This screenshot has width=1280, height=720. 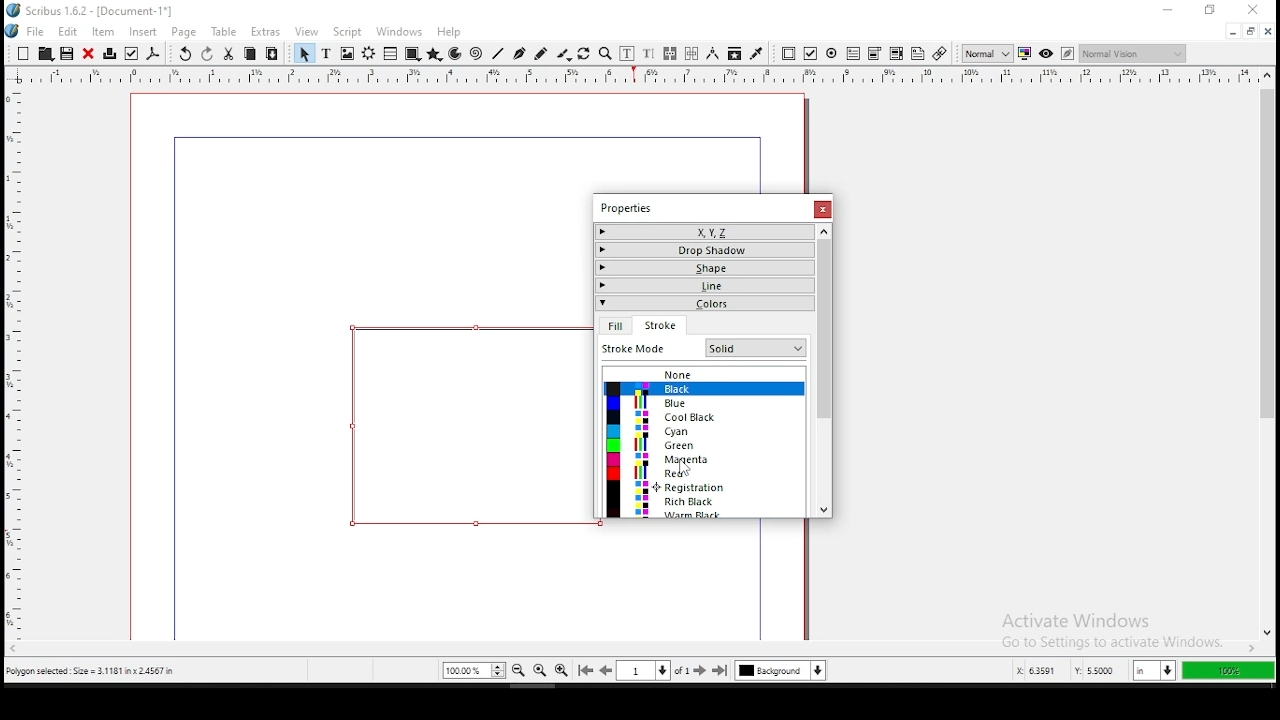 I want to click on measurement, so click(x=713, y=54).